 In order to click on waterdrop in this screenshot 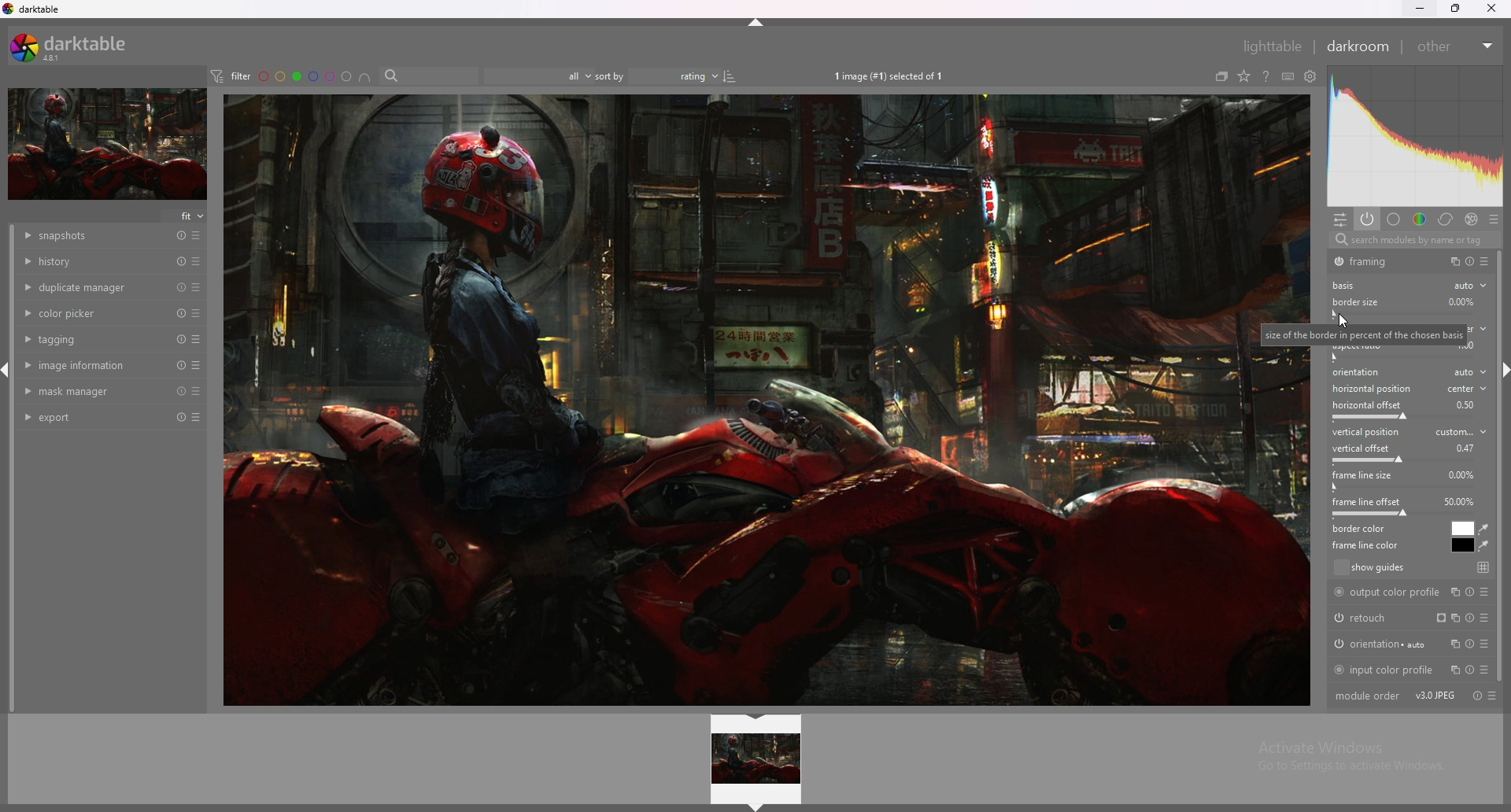, I will do `click(1484, 546)`.